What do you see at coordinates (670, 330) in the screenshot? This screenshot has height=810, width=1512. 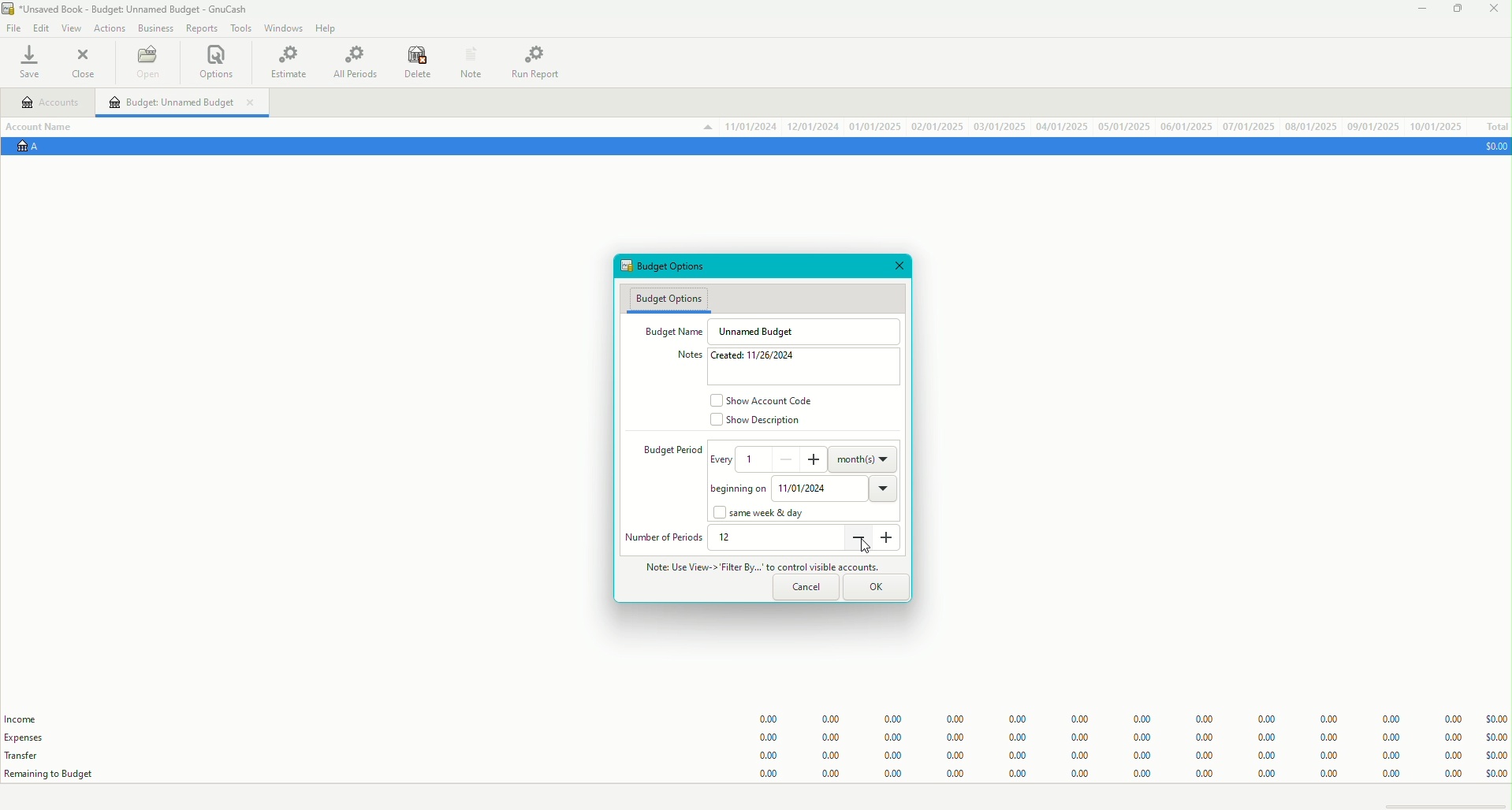 I see `Budget Name.` at bounding box center [670, 330].